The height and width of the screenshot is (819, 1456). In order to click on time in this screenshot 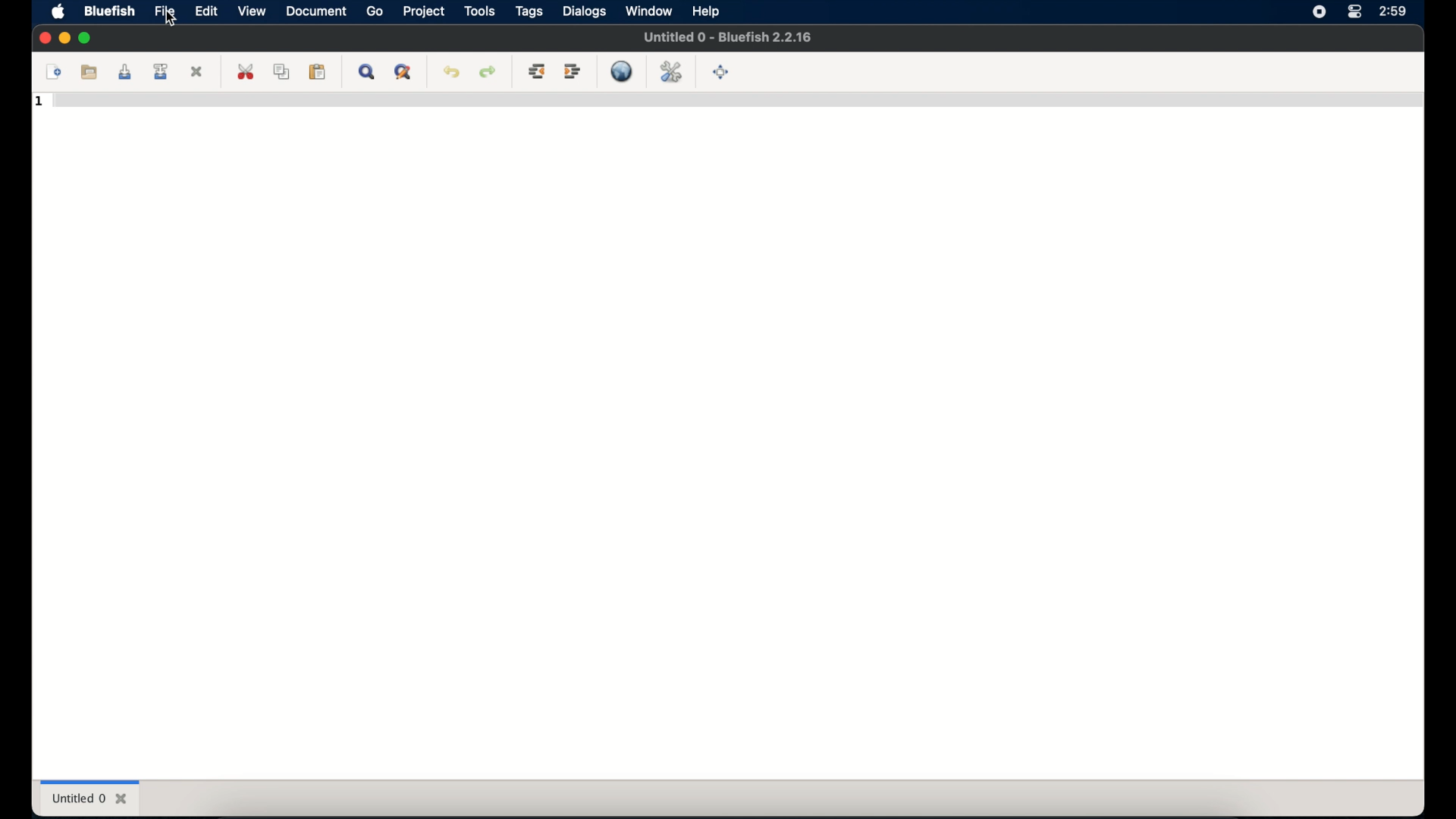, I will do `click(1393, 11)`.